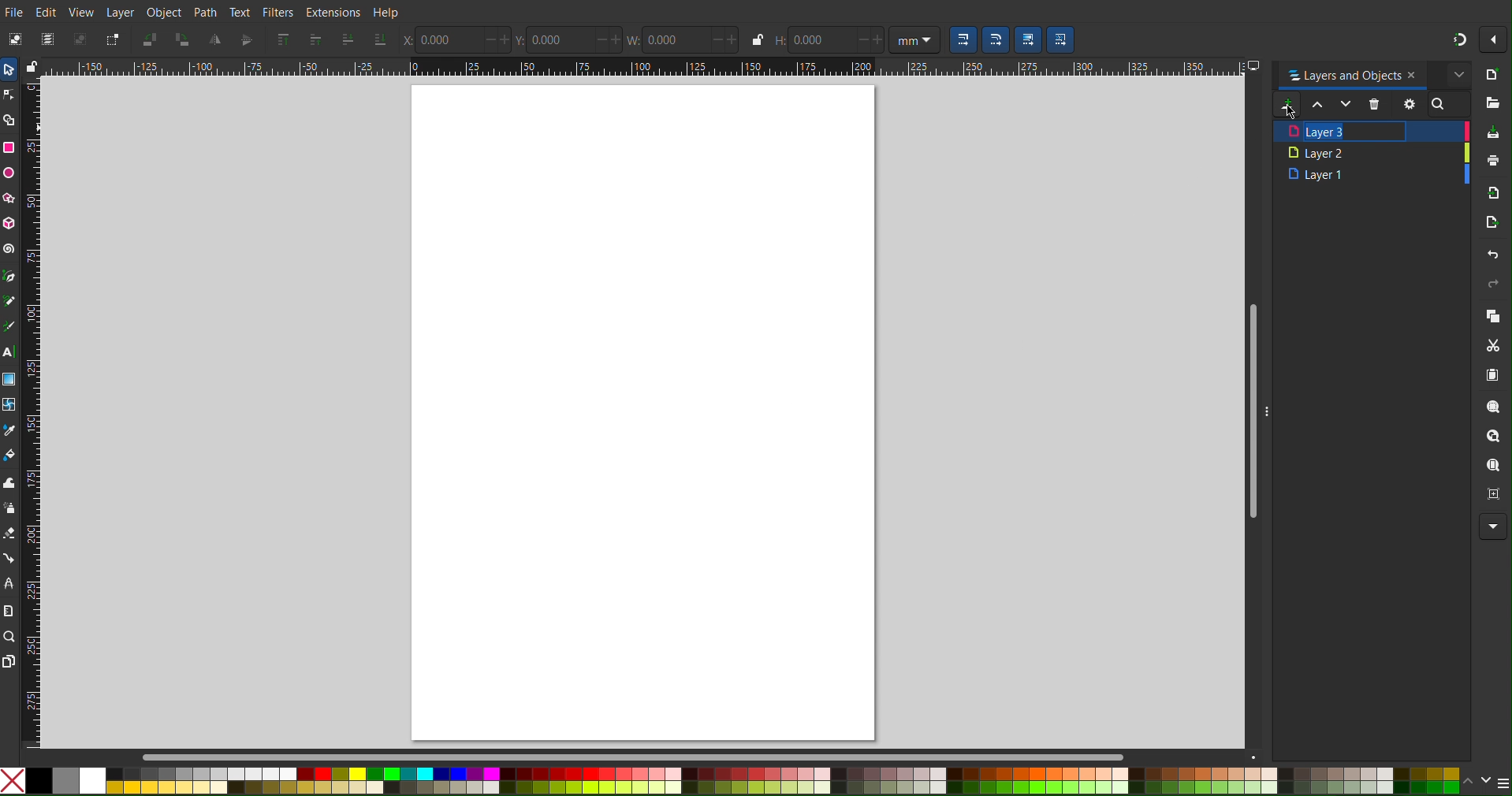 This screenshot has height=796, width=1512. Describe the element at coordinates (15, 9) in the screenshot. I see `File` at that location.